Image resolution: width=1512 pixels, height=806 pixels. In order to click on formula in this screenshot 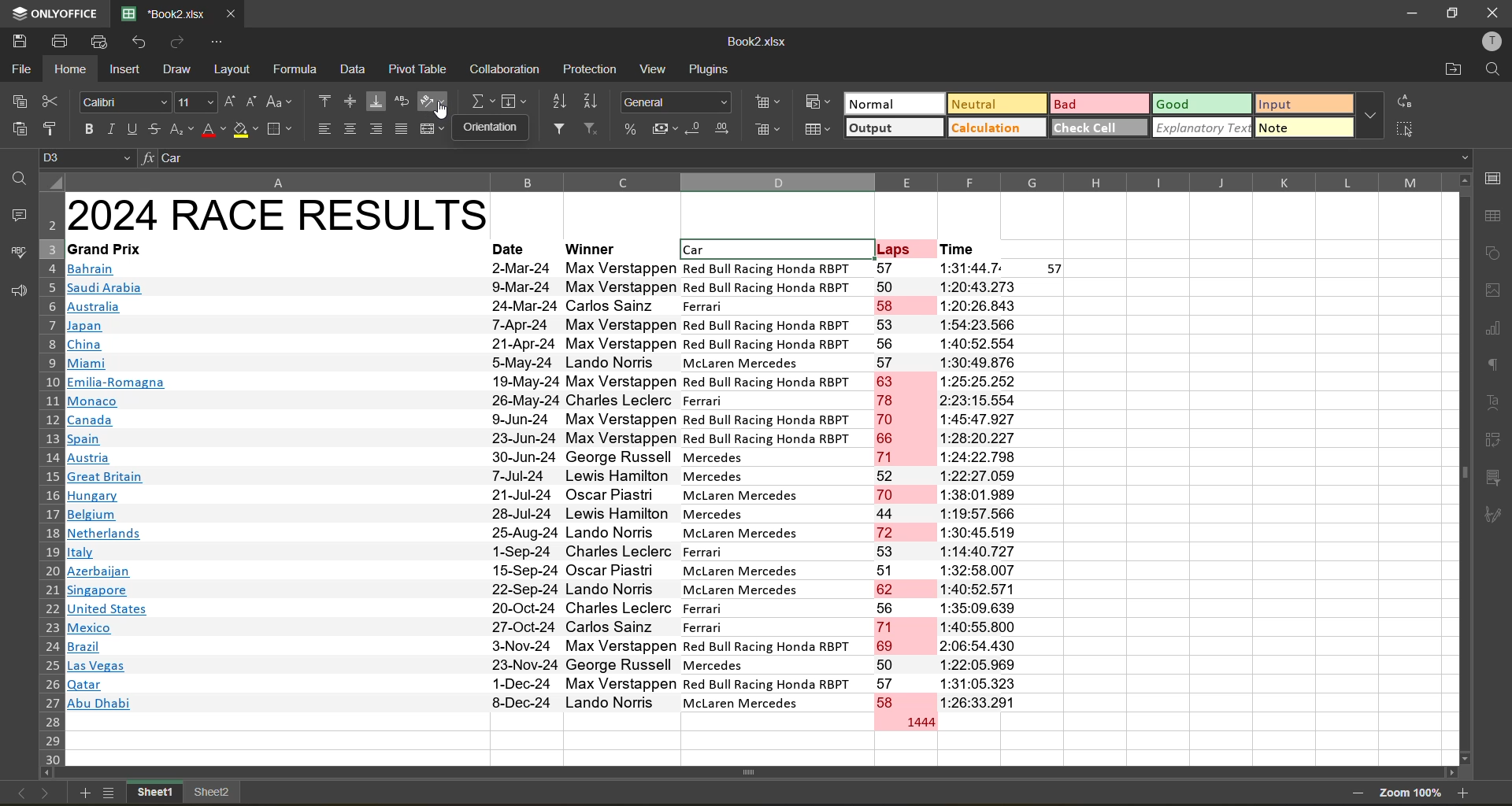, I will do `click(297, 72)`.